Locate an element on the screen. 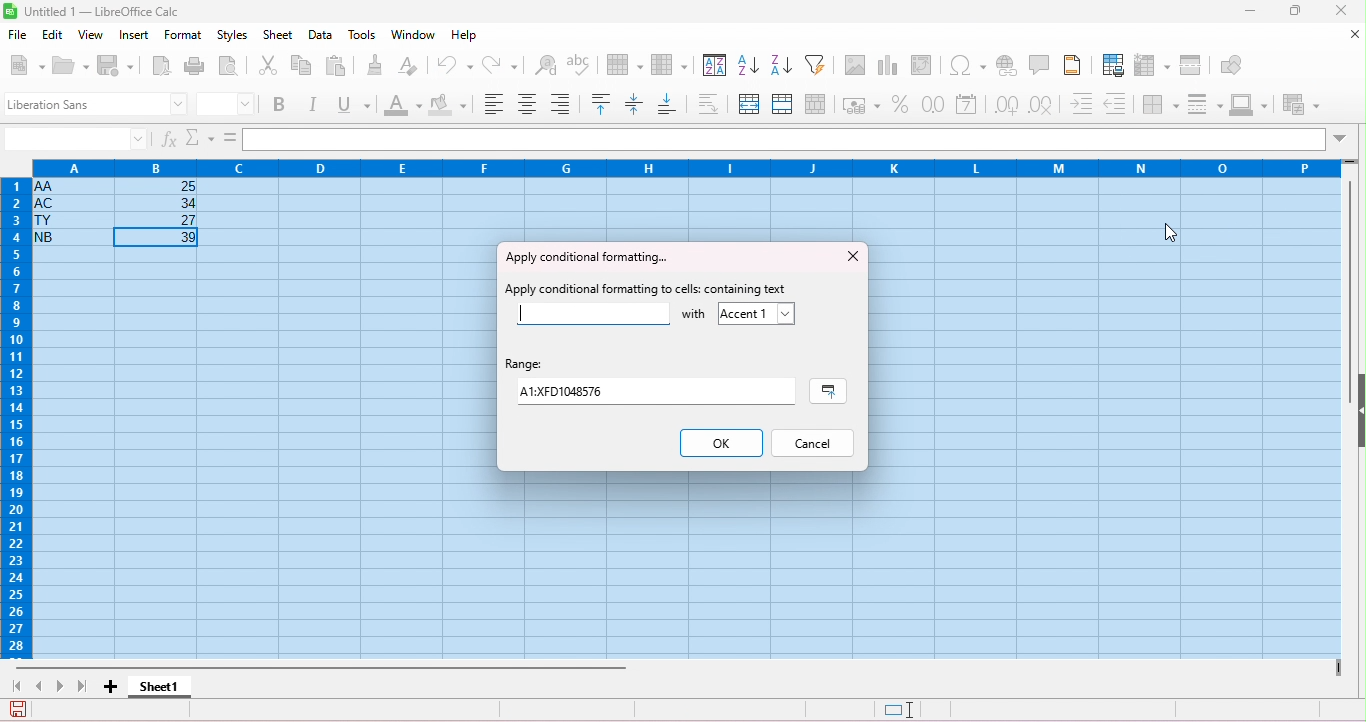 The height and width of the screenshot is (722, 1366). range value is located at coordinates (596, 390).